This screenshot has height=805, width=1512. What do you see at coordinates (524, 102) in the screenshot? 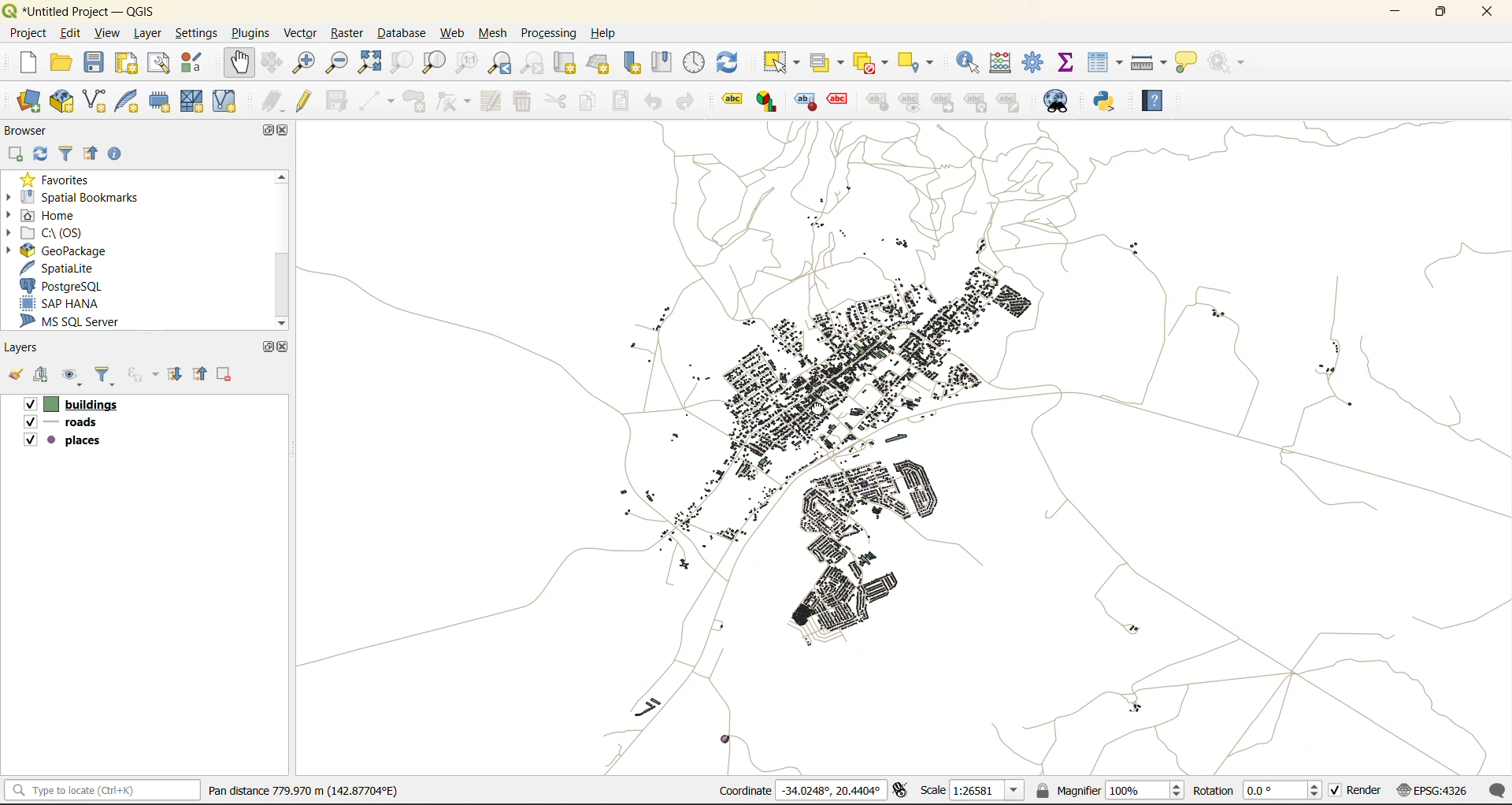
I see `delete` at bounding box center [524, 102].